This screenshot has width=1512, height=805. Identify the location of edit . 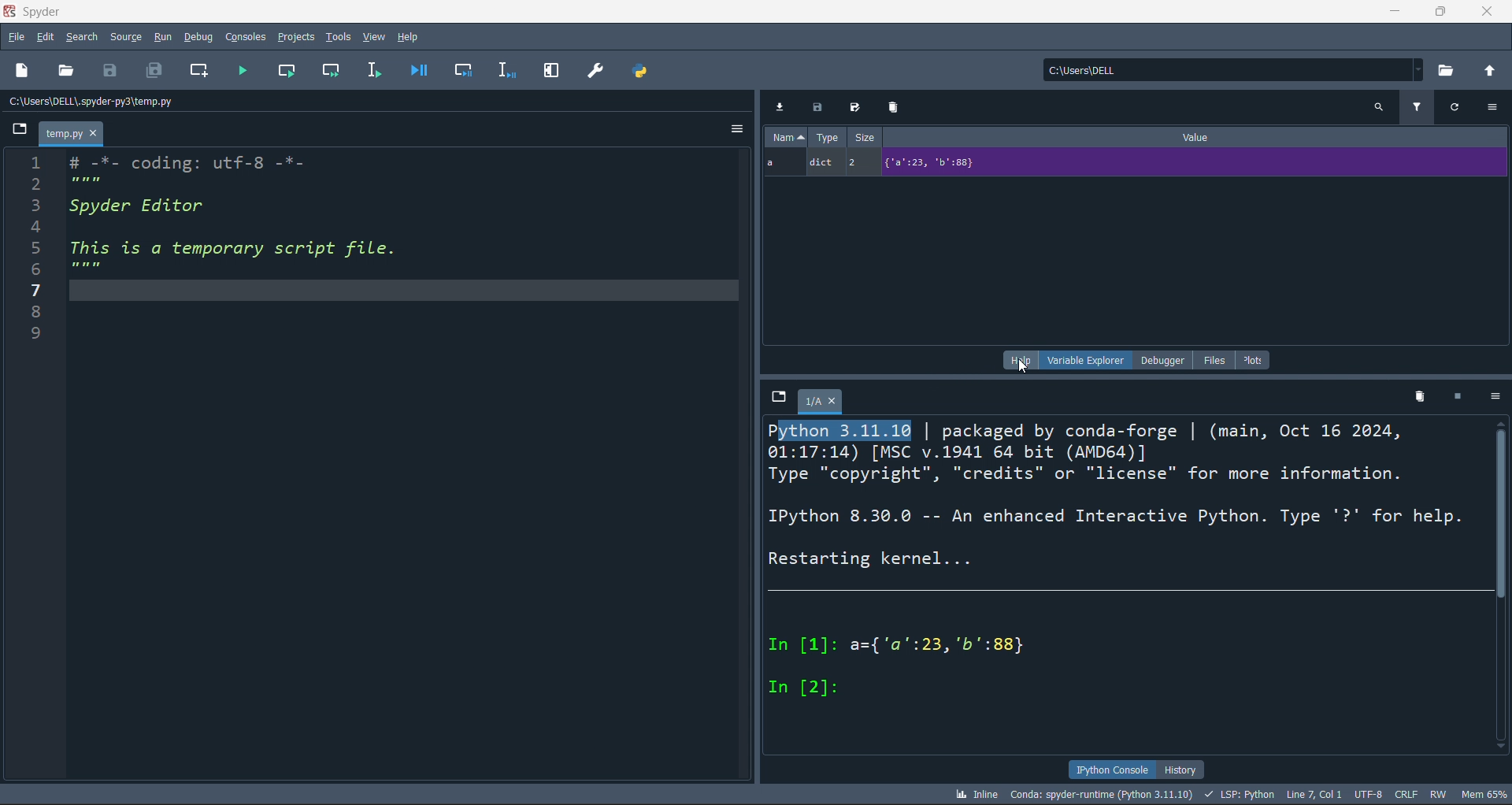
(46, 35).